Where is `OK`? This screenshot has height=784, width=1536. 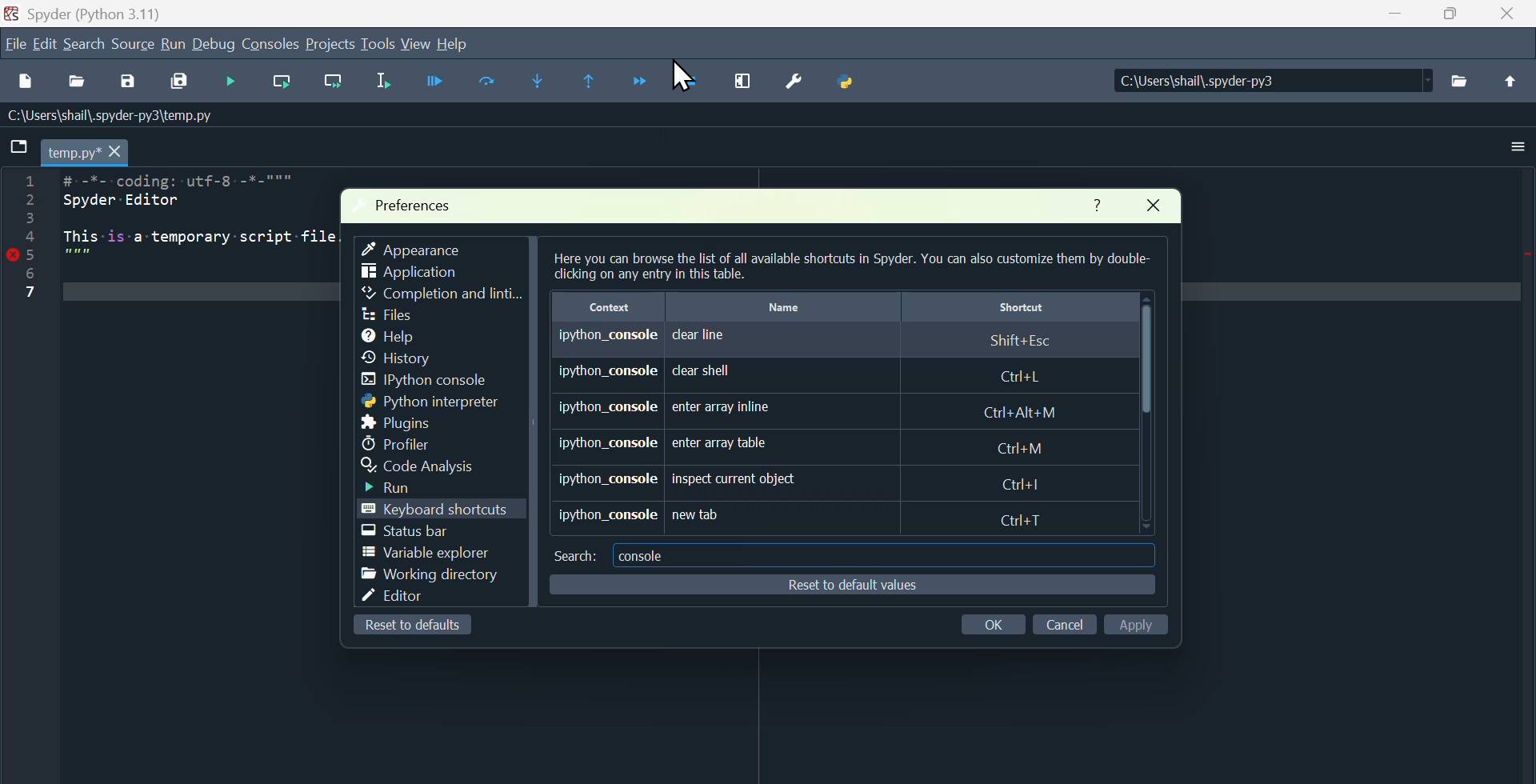 OK is located at coordinates (996, 622).